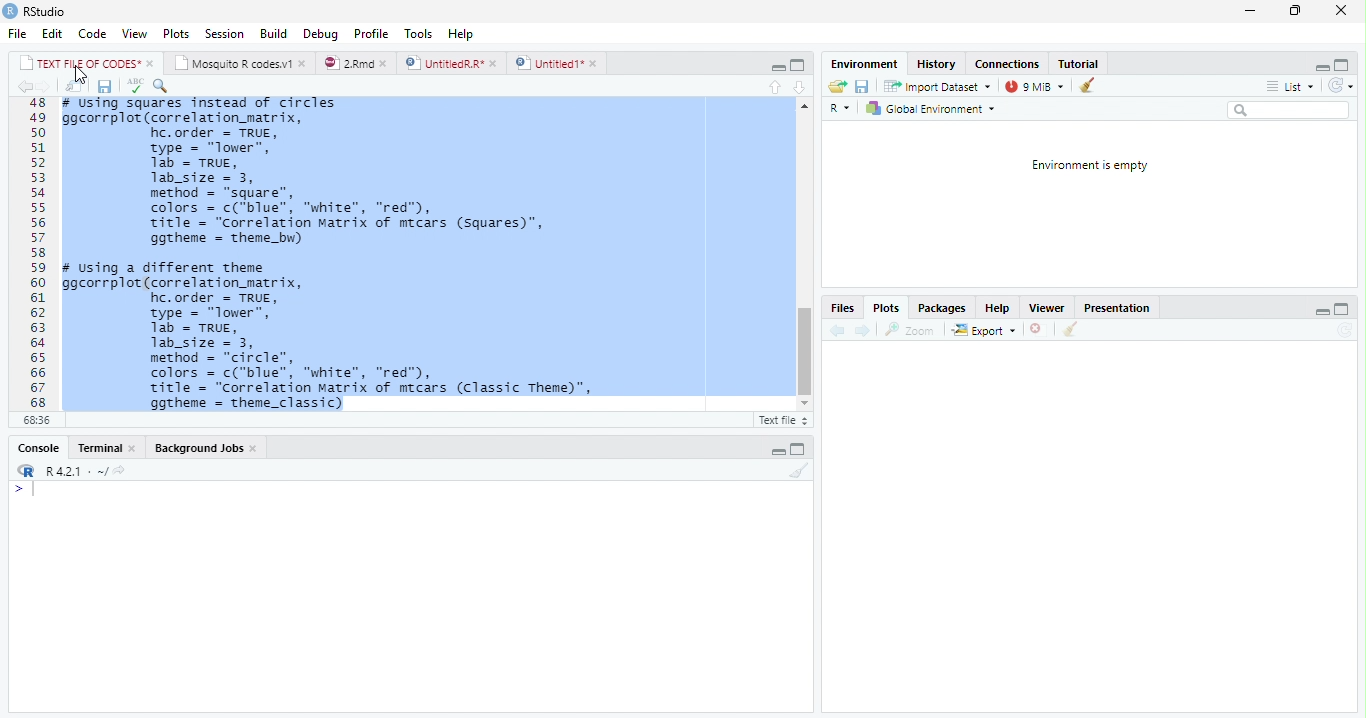 The image size is (1366, 718). What do you see at coordinates (226, 36) in the screenshot?
I see `Session` at bounding box center [226, 36].